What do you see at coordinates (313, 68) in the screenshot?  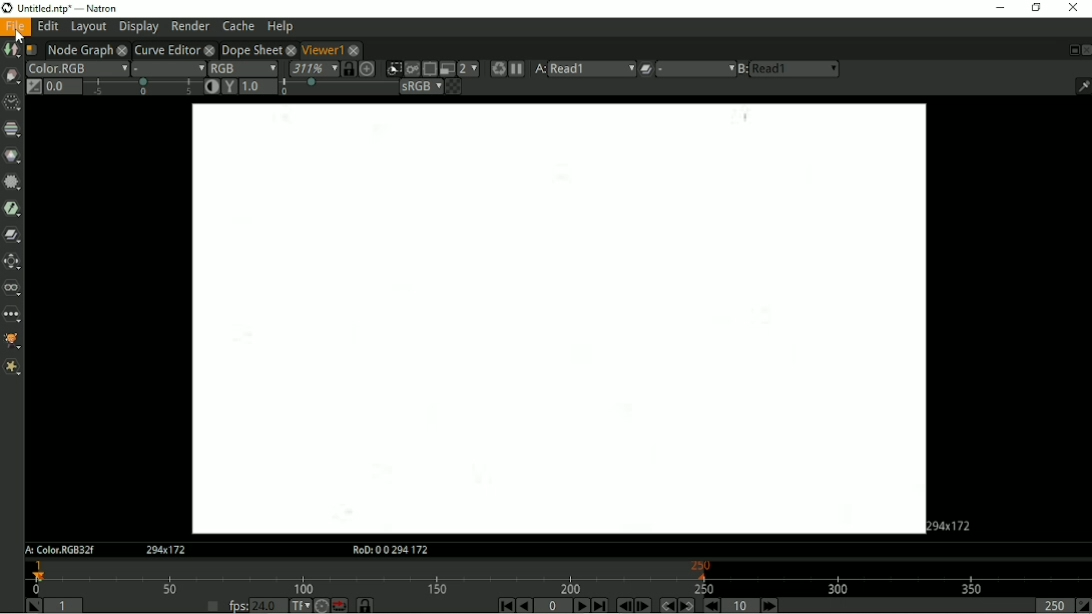 I see `Zoom` at bounding box center [313, 68].